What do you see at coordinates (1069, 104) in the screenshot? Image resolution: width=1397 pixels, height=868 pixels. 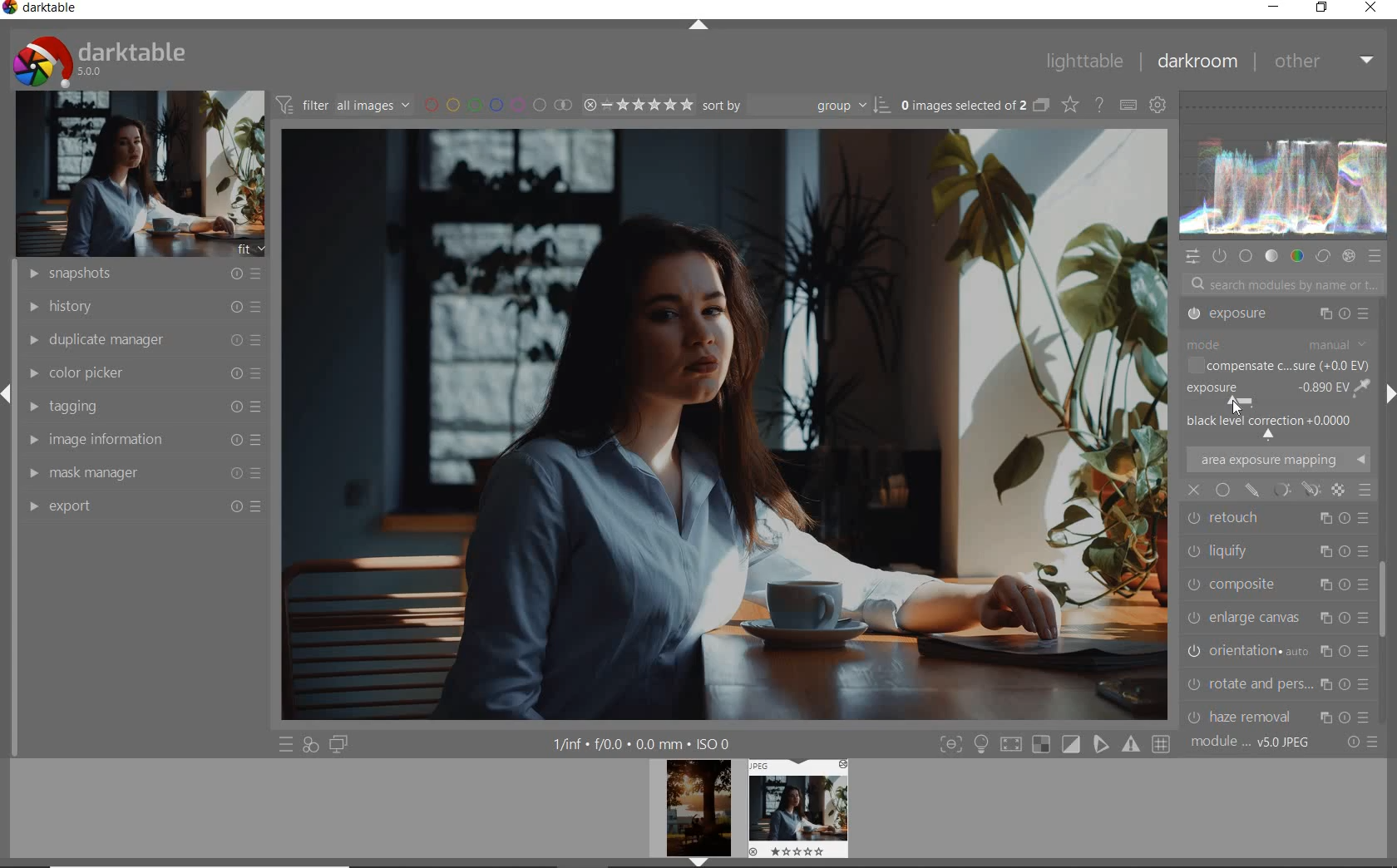 I see `CHANGE TYPE OF OVERRELAY` at bounding box center [1069, 104].